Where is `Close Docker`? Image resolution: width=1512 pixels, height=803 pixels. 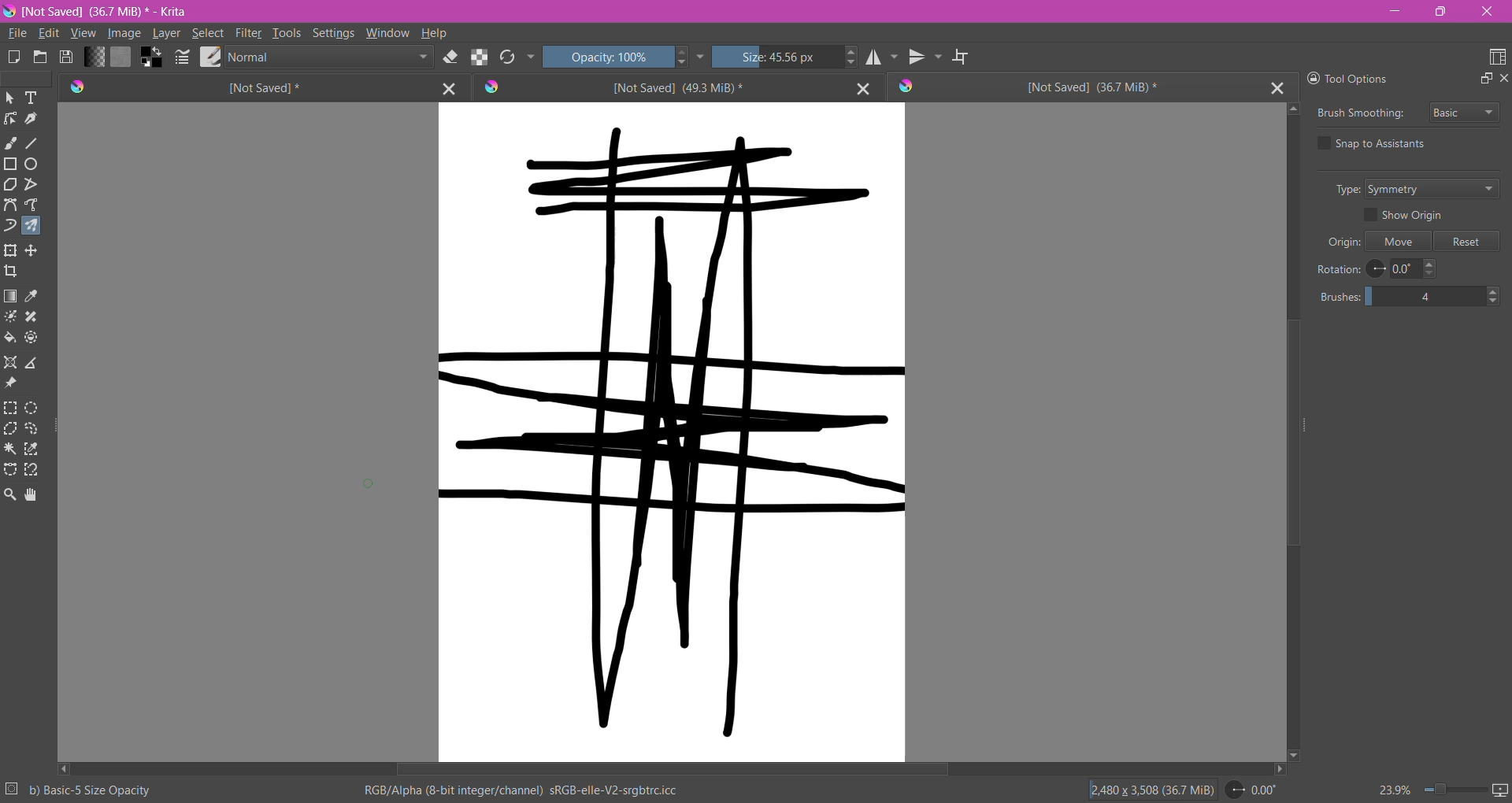
Close Docker is located at coordinates (1503, 80).